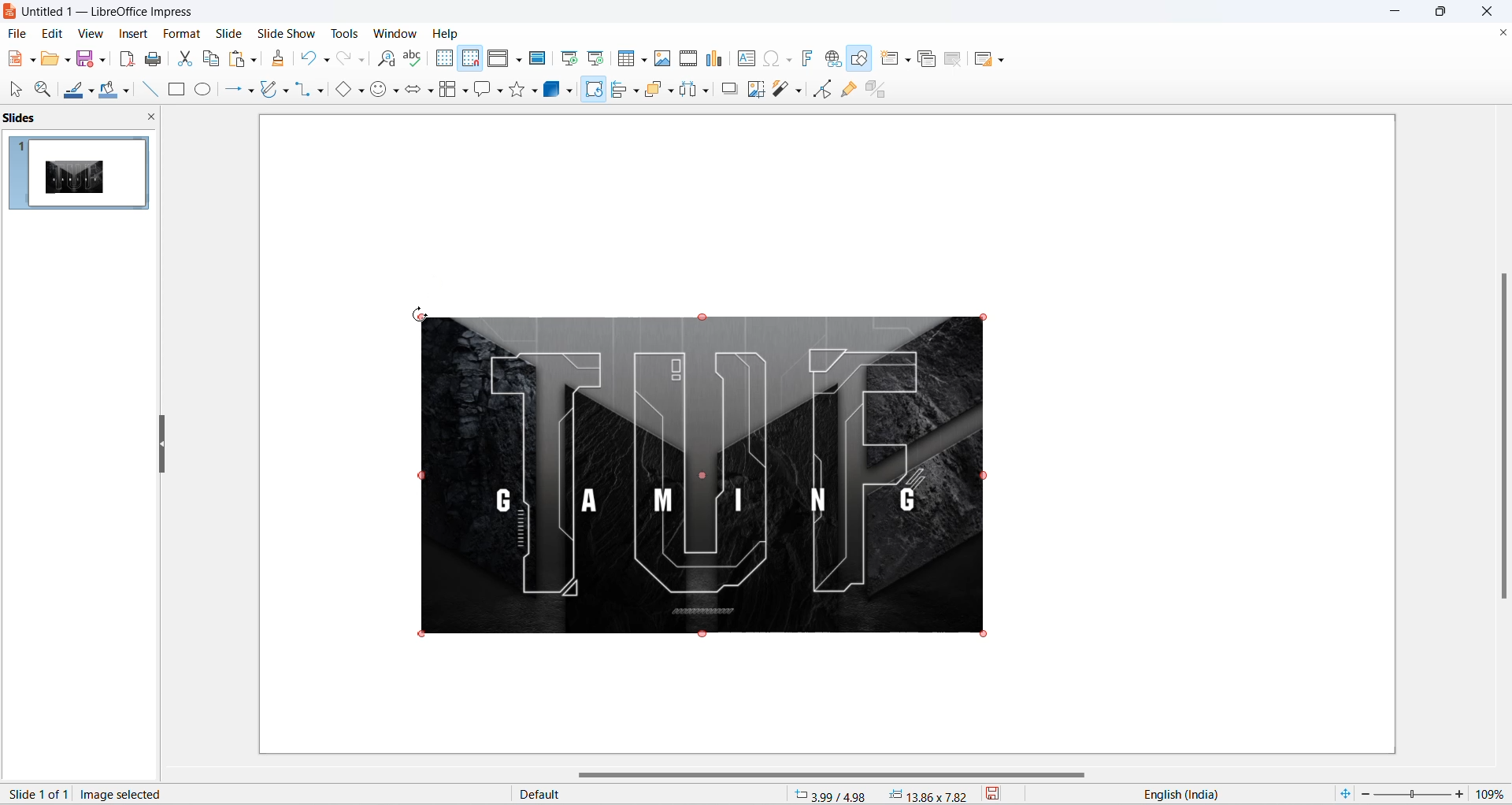  I want to click on align, so click(621, 90).